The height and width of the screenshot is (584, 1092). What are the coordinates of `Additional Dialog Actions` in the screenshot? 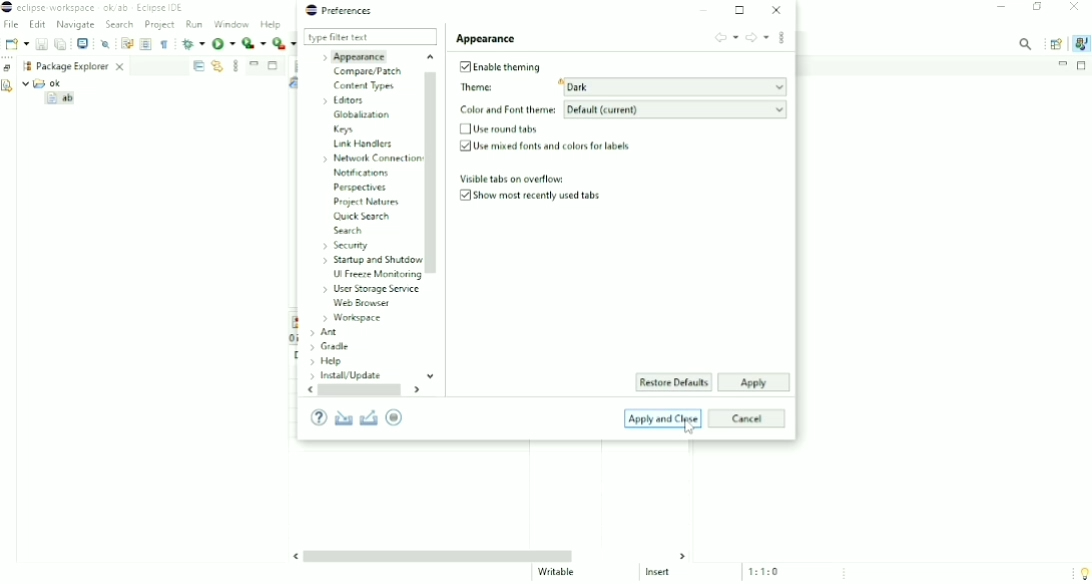 It's located at (782, 40).